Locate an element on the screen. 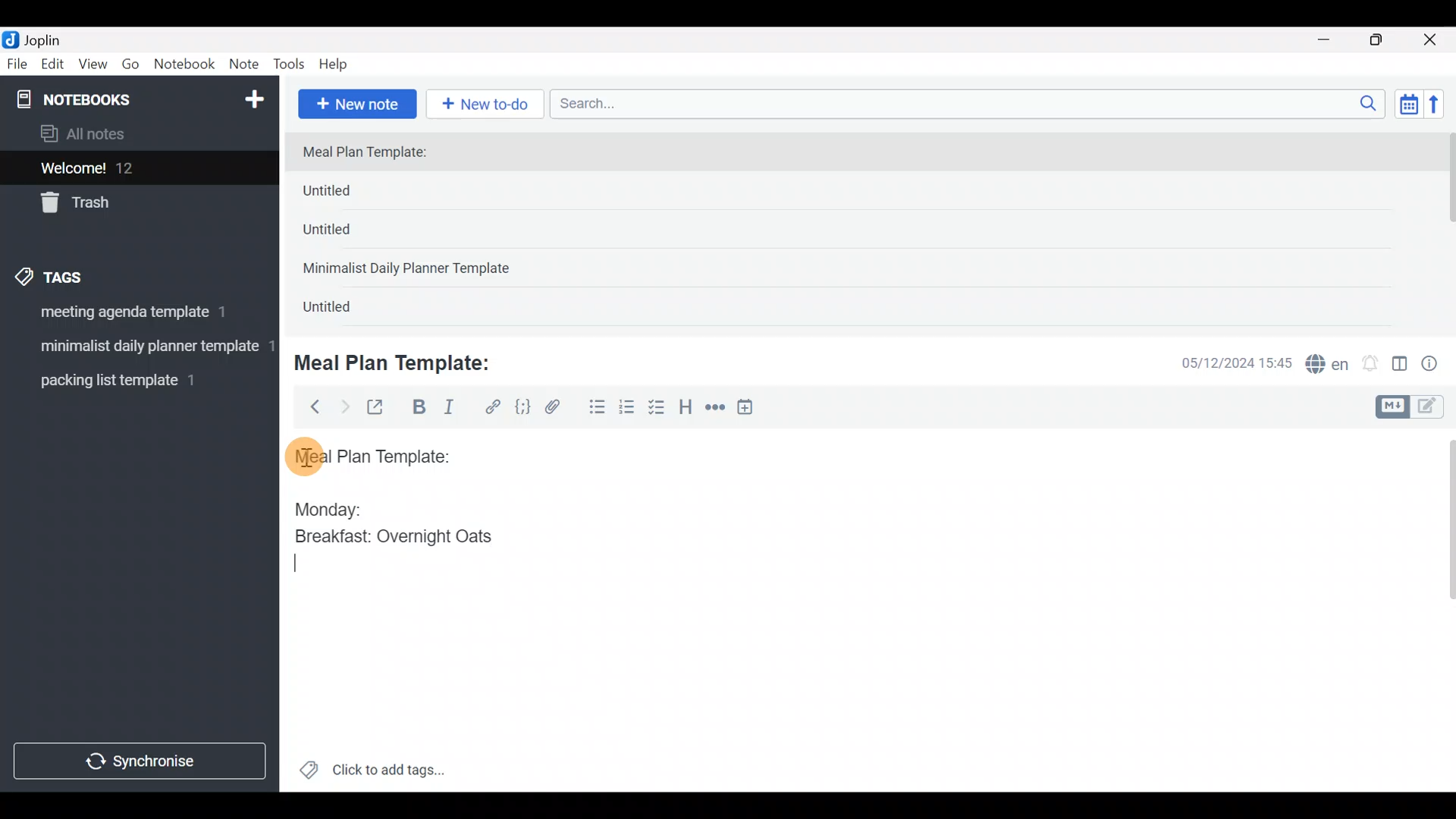 This screenshot has width=1456, height=819. Breakfast: Overnight Oats is located at coordinates (391, 538).